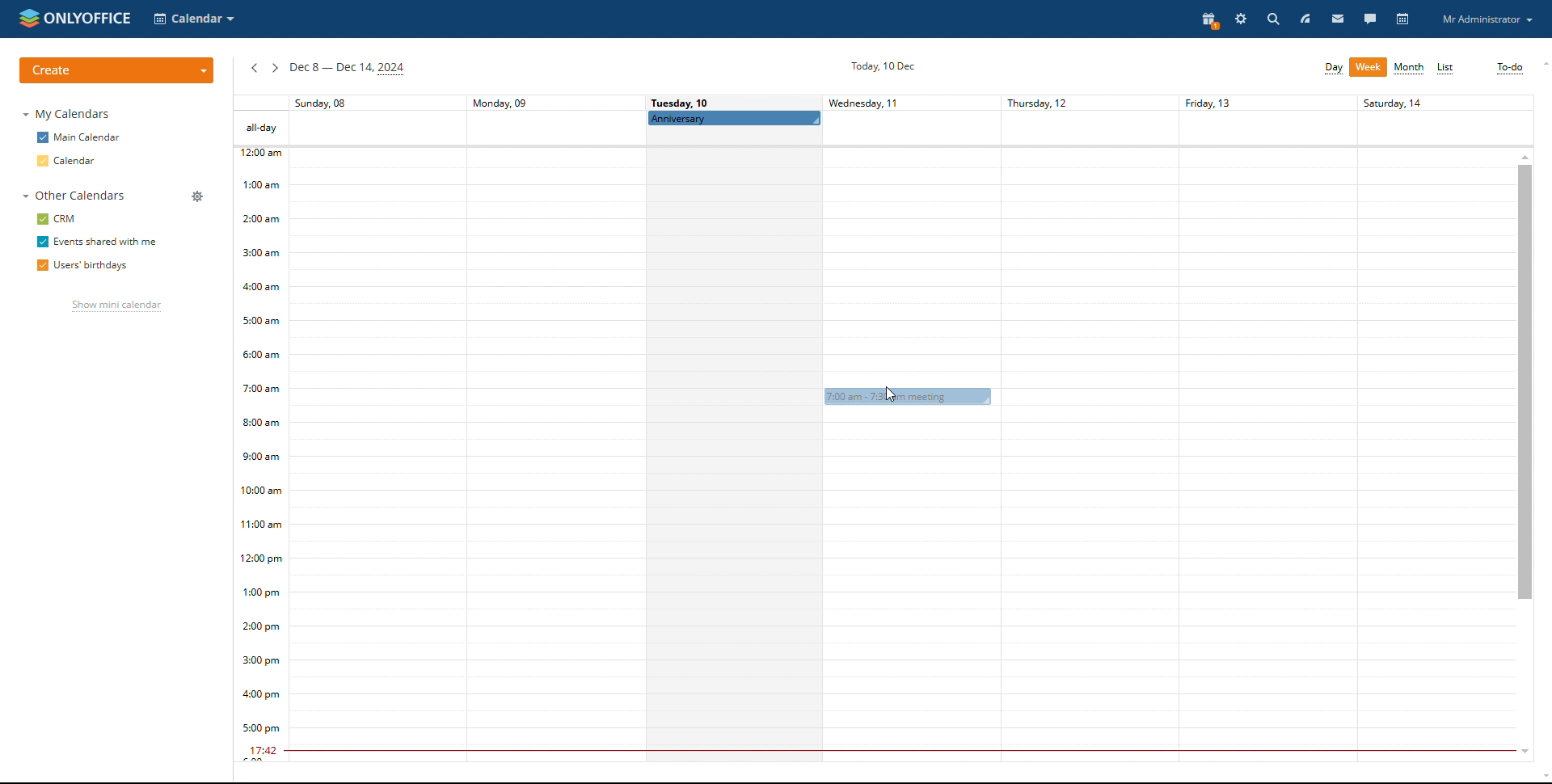 This screenshot has width=1552, height=784. I want to click on to-do, so click(1510, 68).